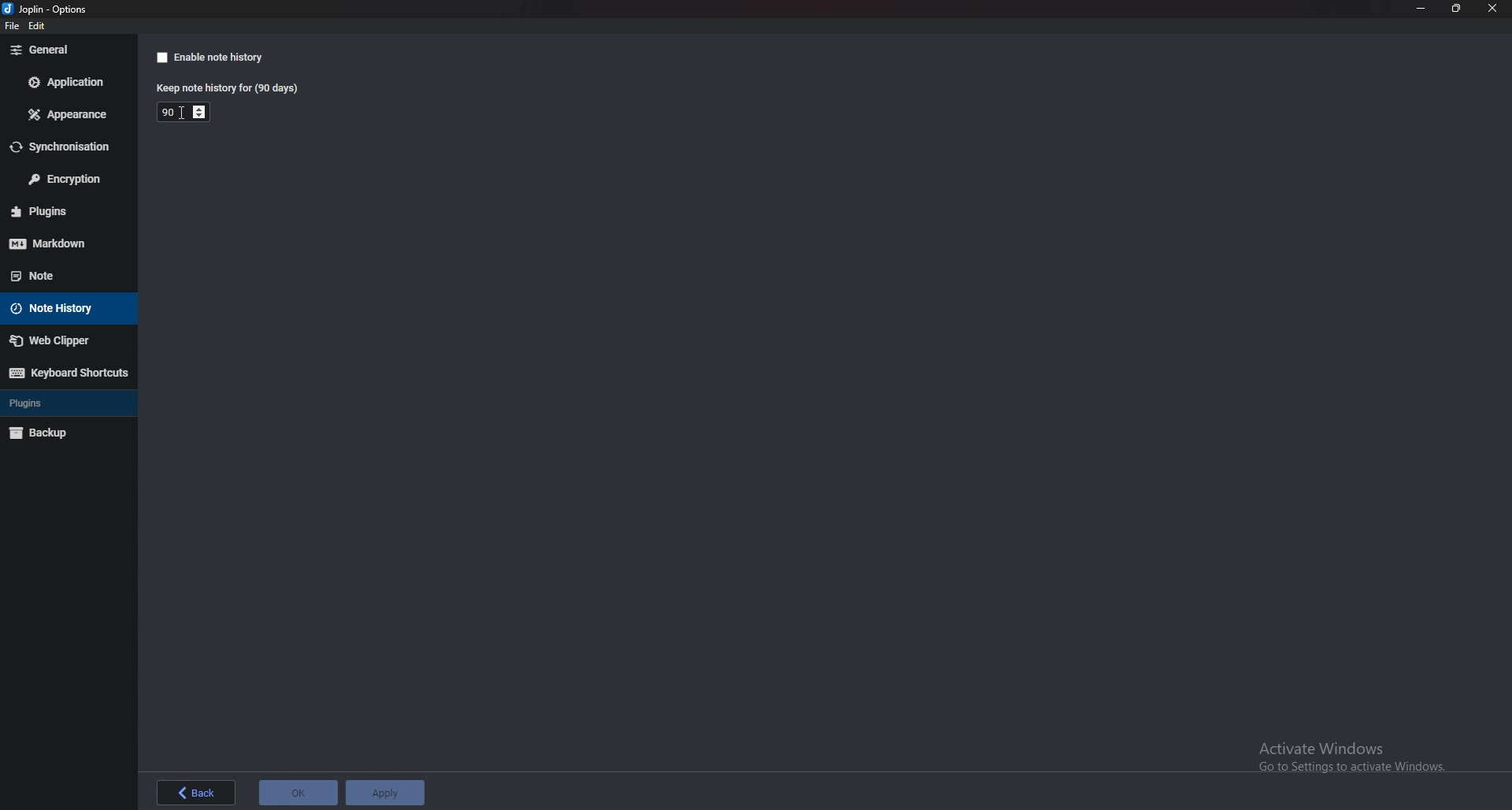  Describe the element at coordinates (67, 81) in the screenshot. I see `Application` at that location.